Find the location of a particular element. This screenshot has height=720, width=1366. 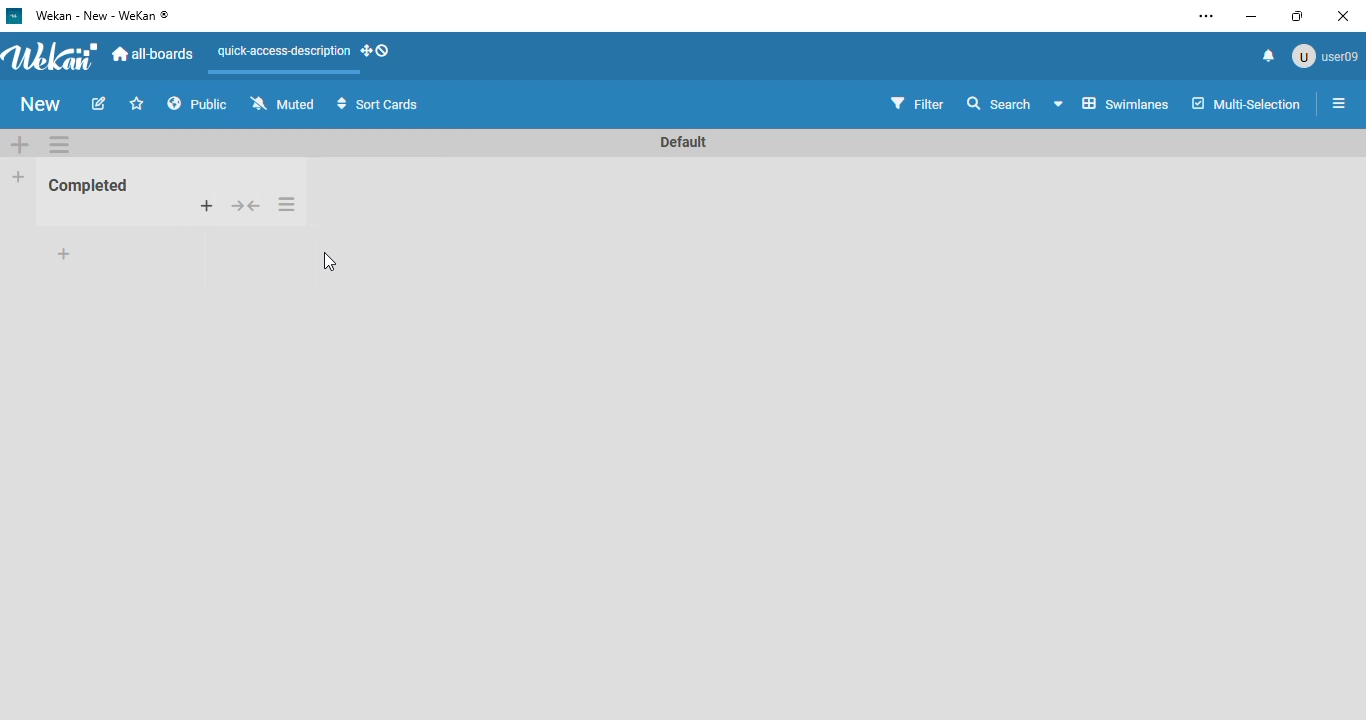

quick-access-description is located at coordinates (284, 51).